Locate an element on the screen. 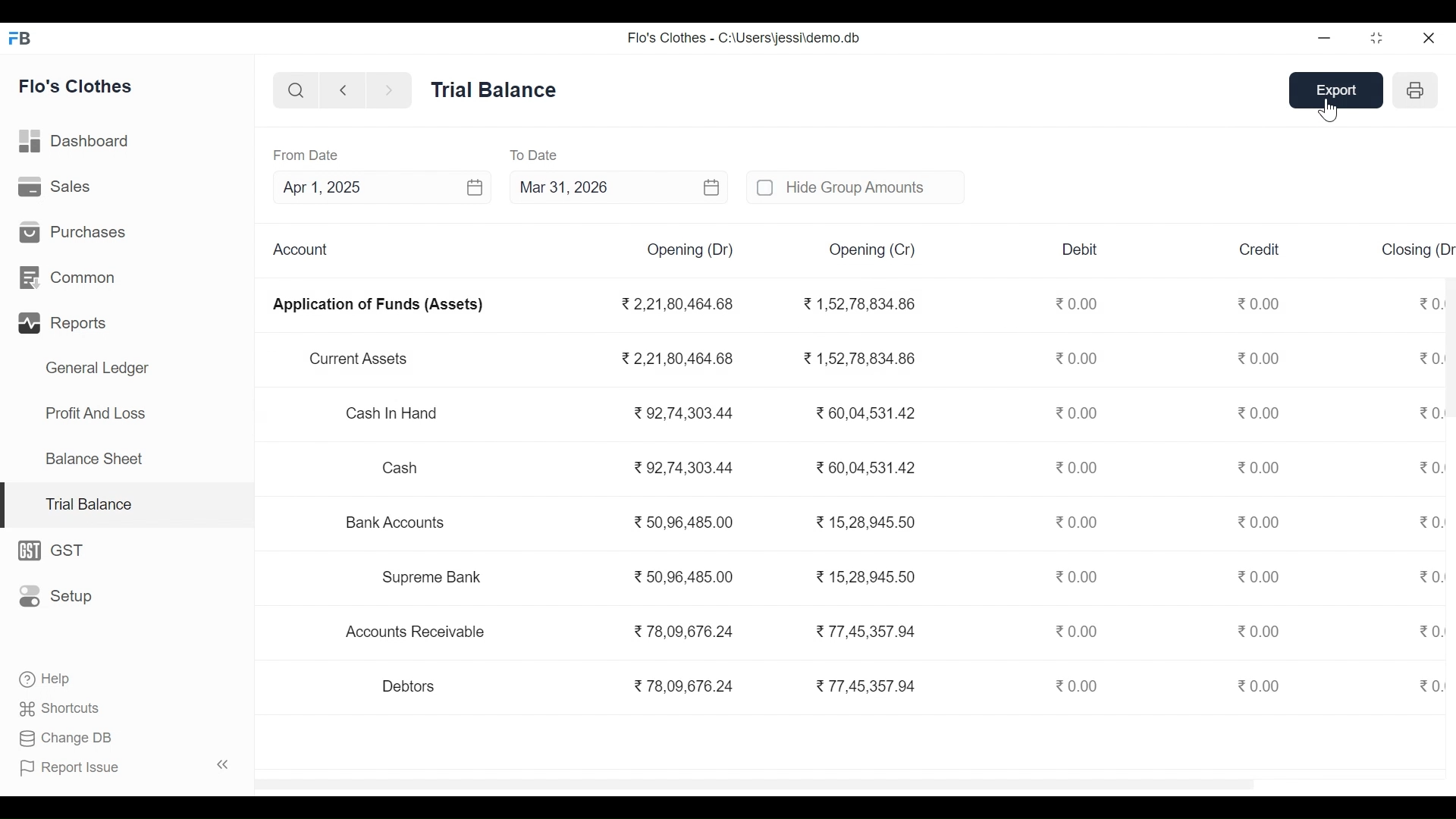 The height and width of the screenshot is (819, 1456). JSON is located at coordinates (1236, 217).